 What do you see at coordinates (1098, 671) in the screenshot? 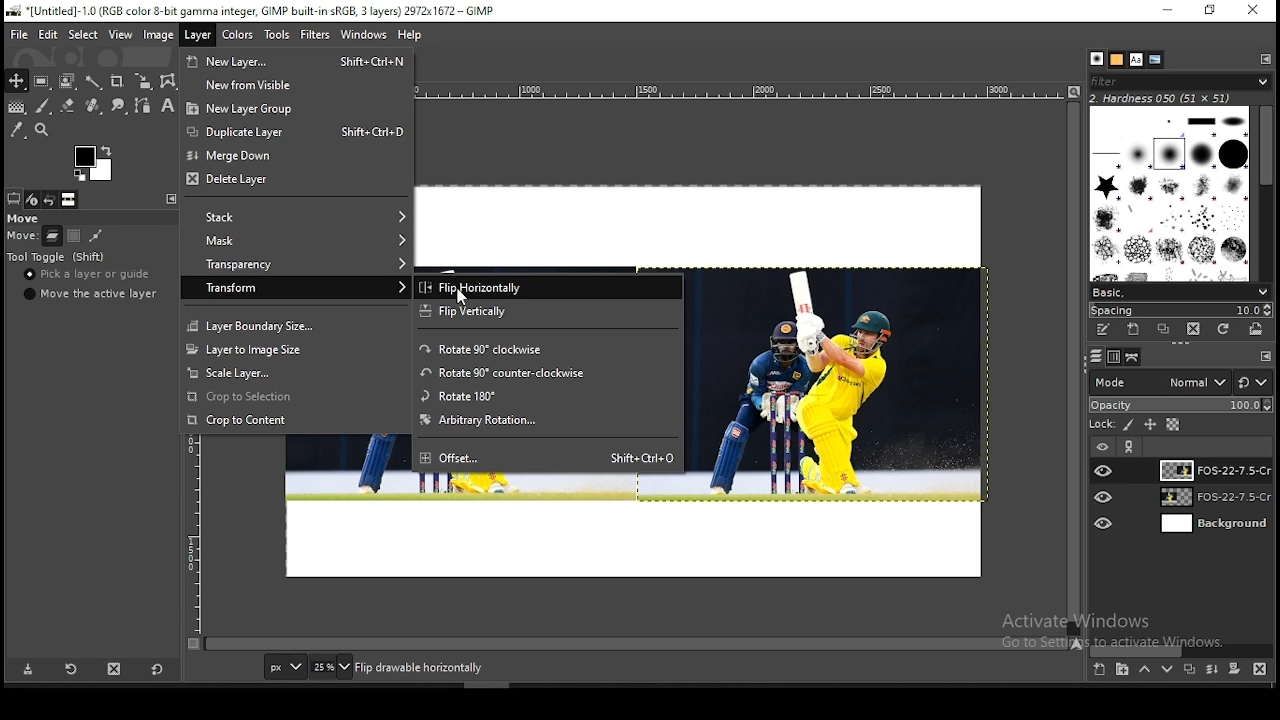
I see `new layer ` at bounding box center [1098, 671].